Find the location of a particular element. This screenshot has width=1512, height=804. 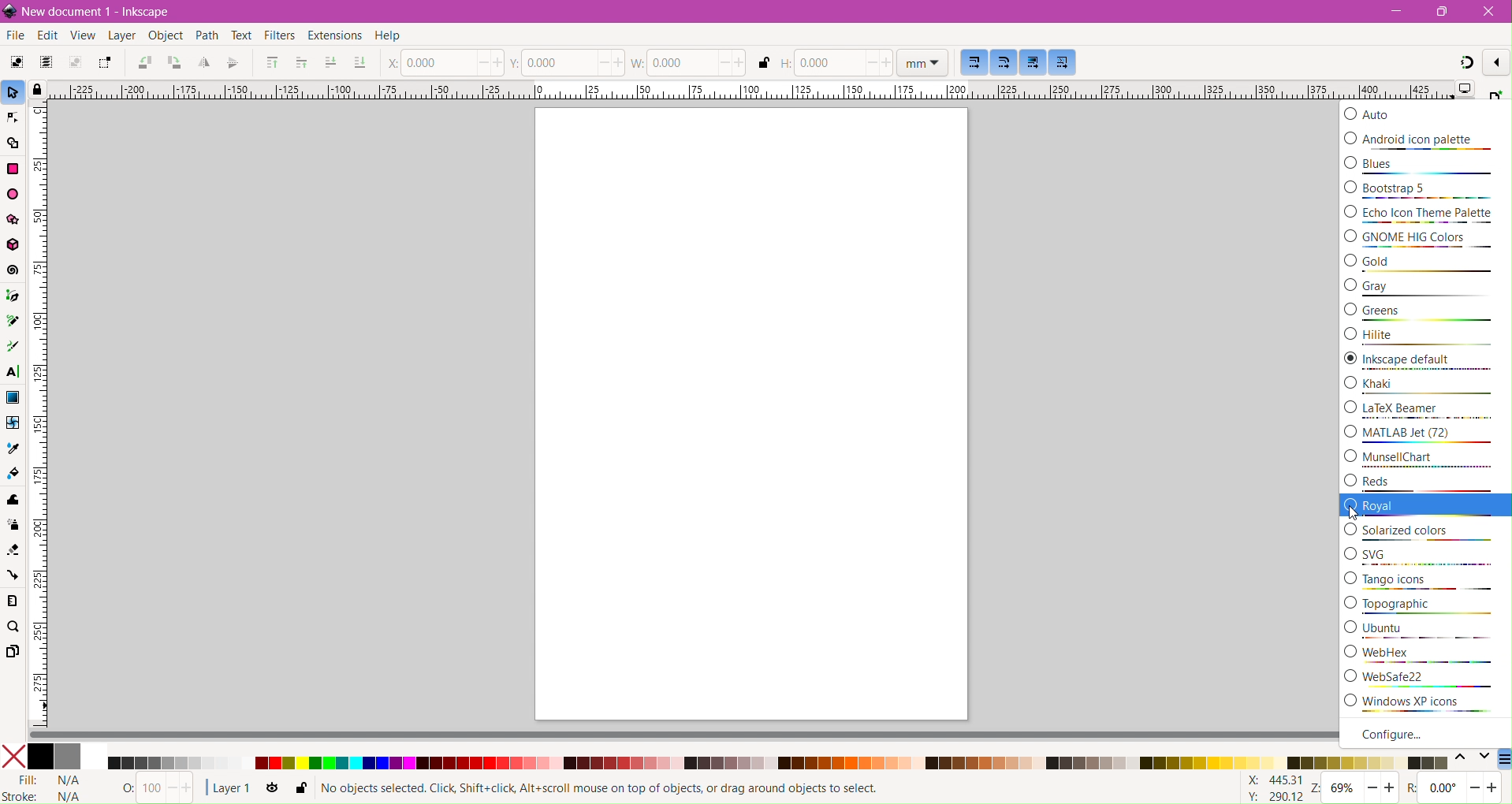

Auto is located at coordinates (1422, 114).